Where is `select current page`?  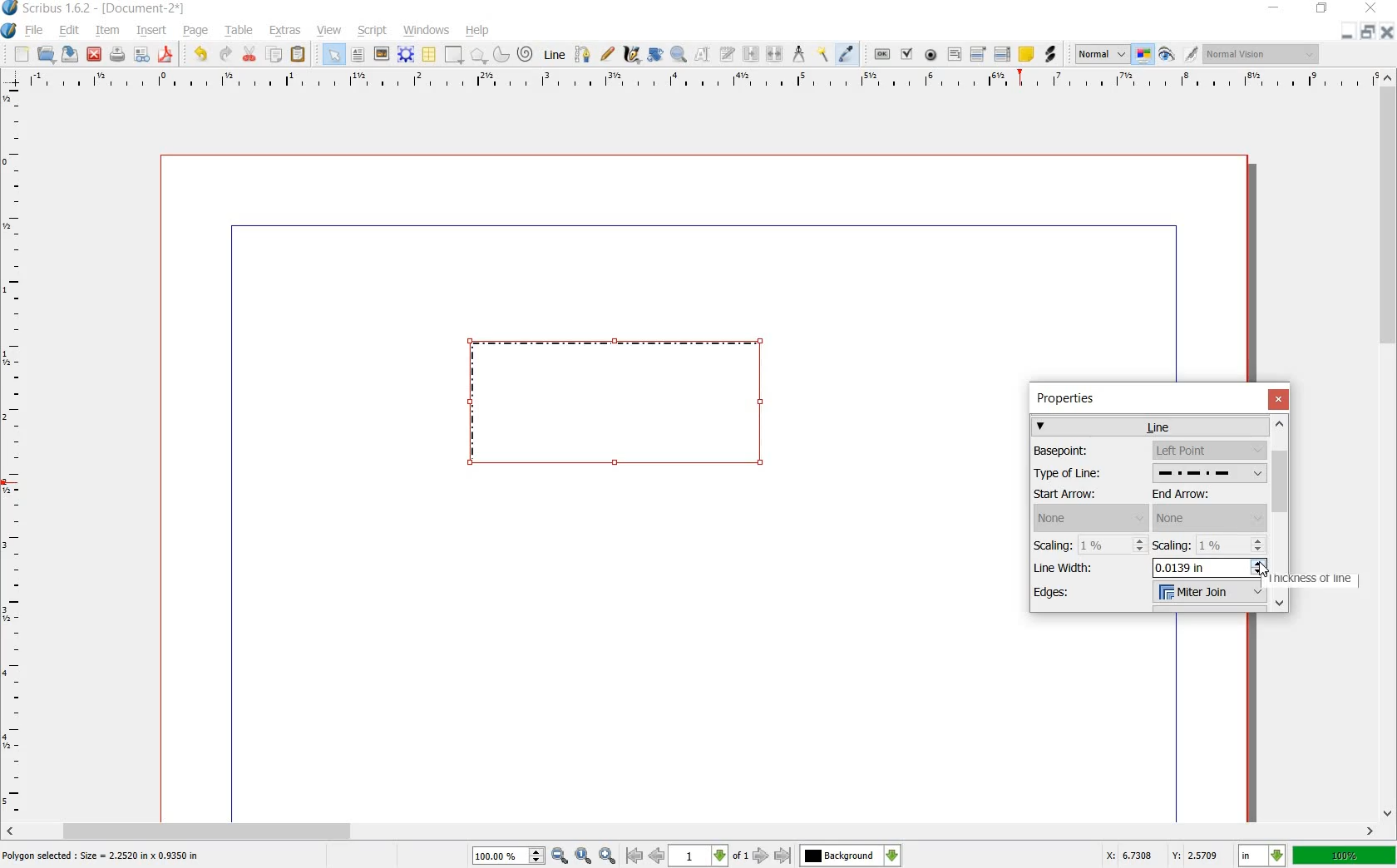 select current page is located at coordinates (708, 856).